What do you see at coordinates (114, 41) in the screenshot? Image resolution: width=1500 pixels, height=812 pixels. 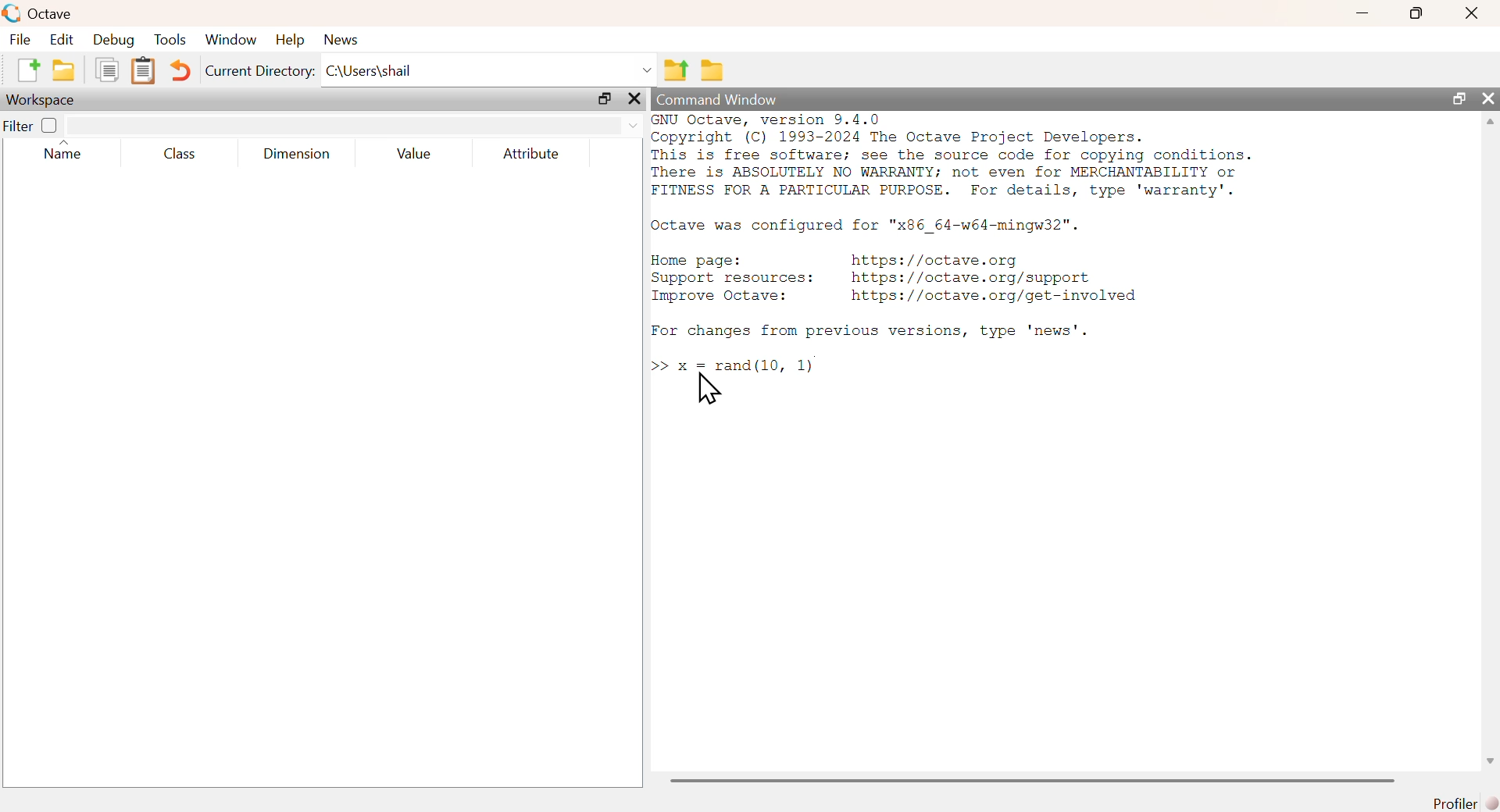 I see `debug` at bounding box center [114, 41].